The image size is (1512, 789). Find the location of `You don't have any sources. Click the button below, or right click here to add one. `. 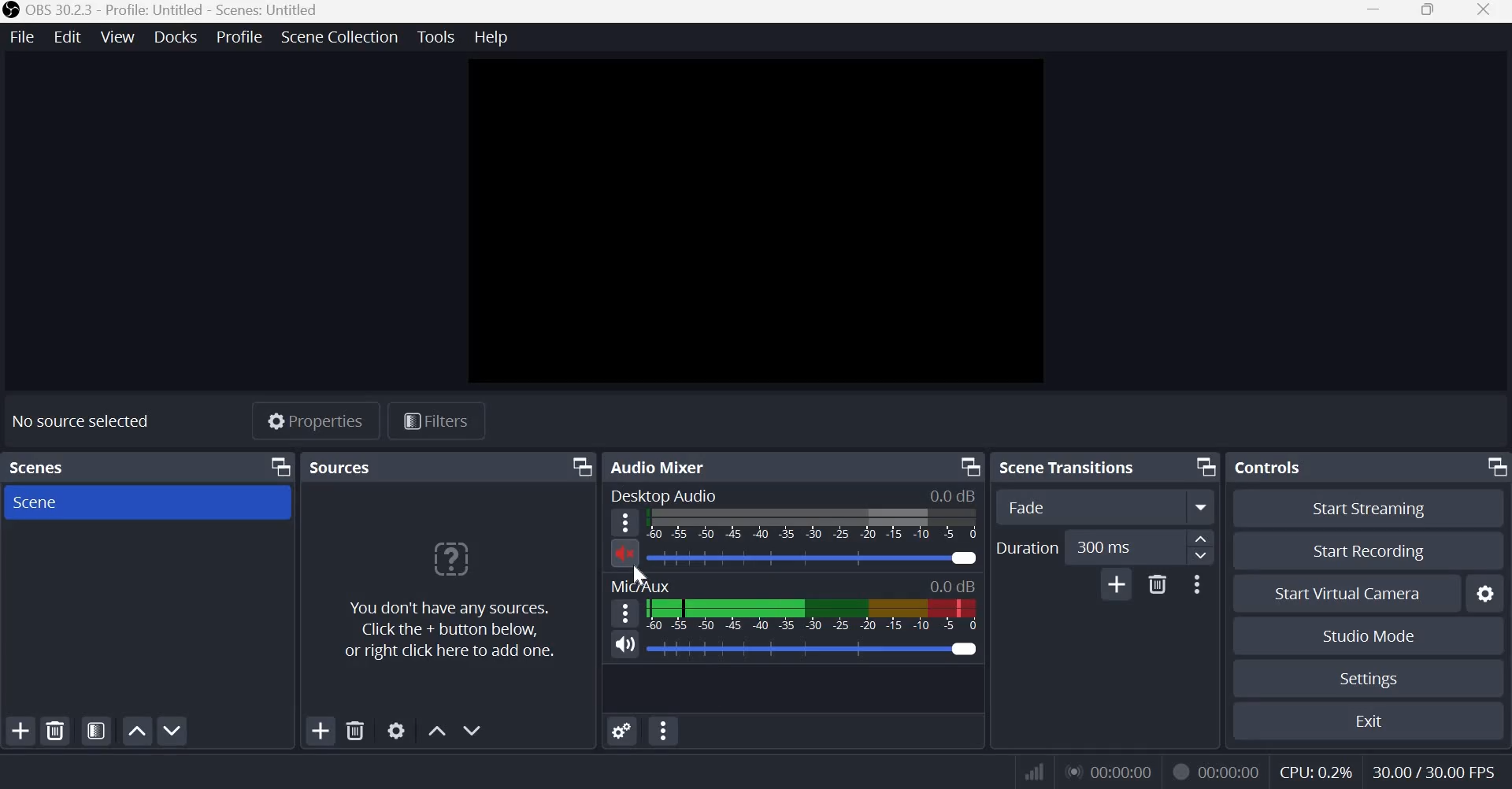

You don't have any sources. Click the button below, or right click here to add one.  is located at coordinates (448, 601).